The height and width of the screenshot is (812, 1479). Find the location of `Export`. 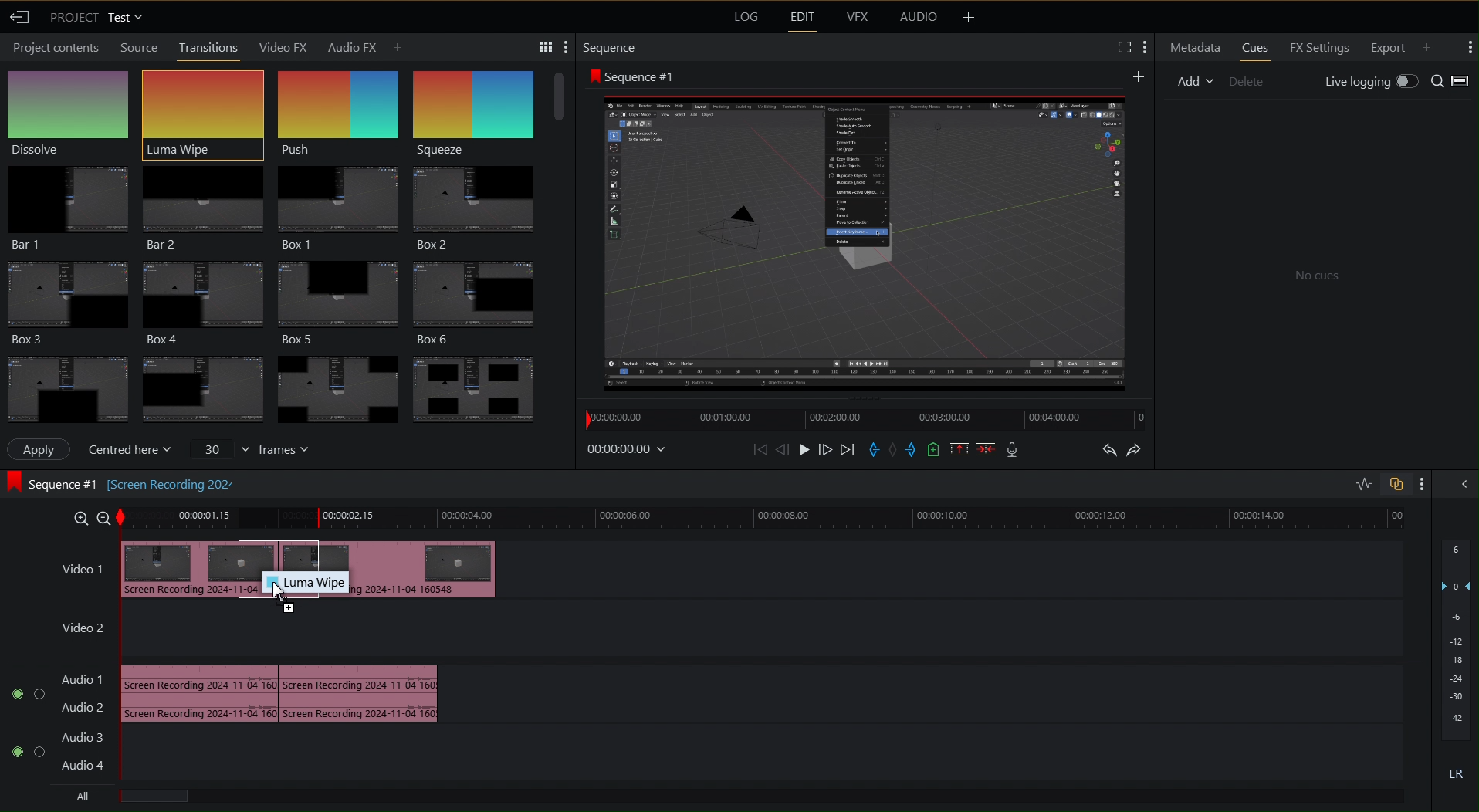

Export is located at coordinates (1388, 48).